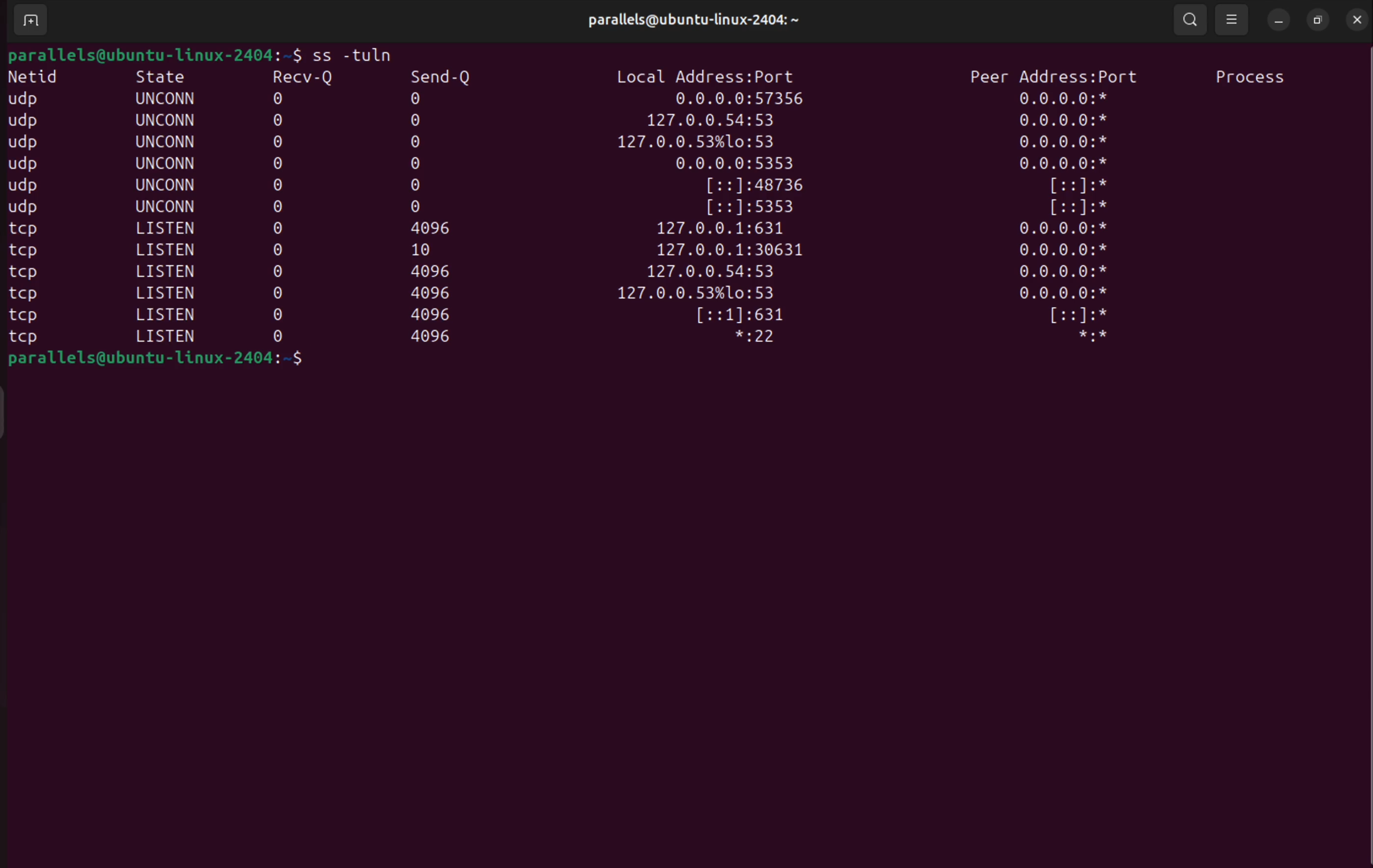 Image resolution: width=1373 pixels, height=868 pixels. I want to click on .0.0.00.0, so click(1065, 230).